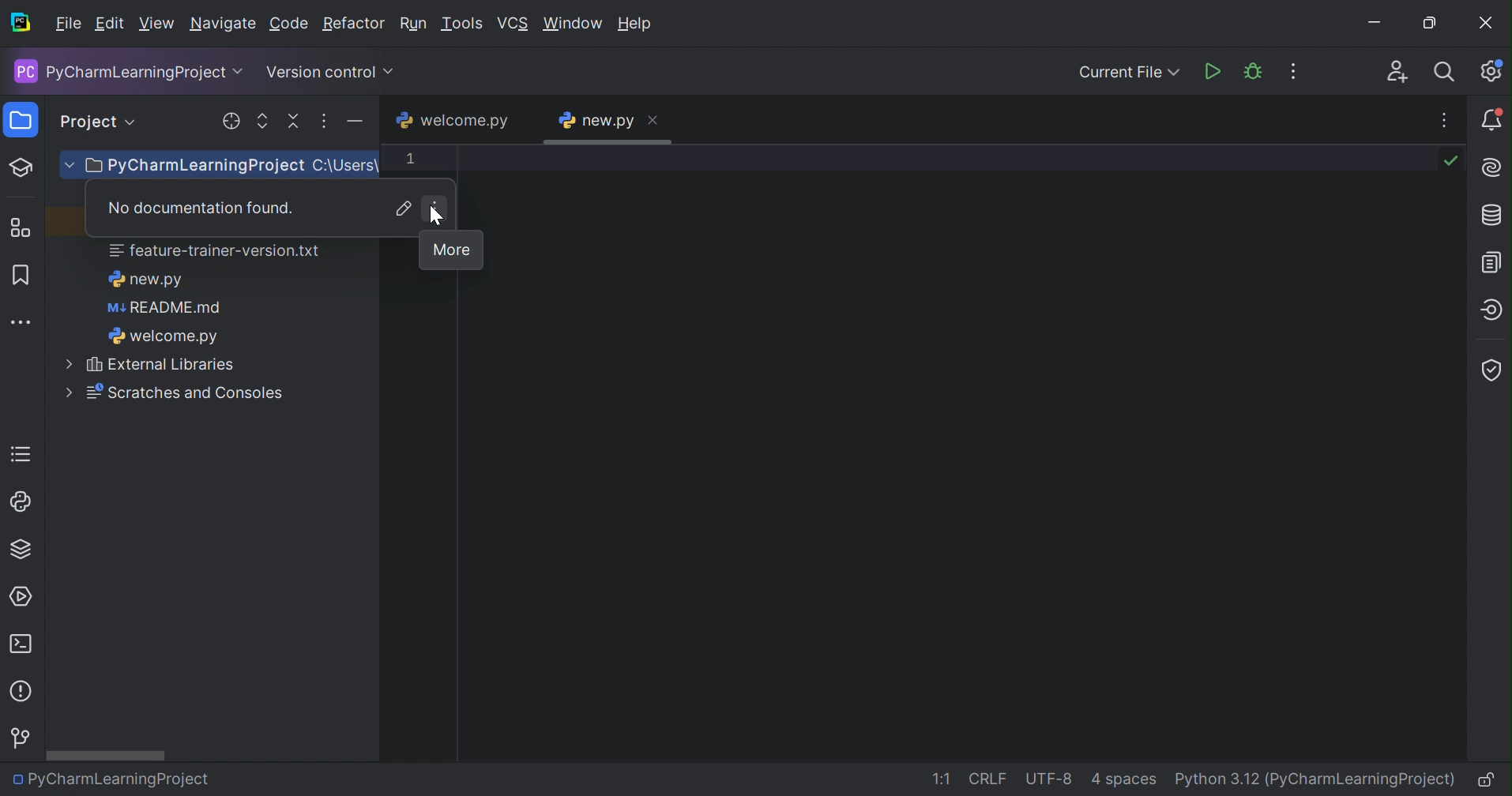 The height and width of the screenshot is (796, 1512). I want to click on 1, so click(410, 157).